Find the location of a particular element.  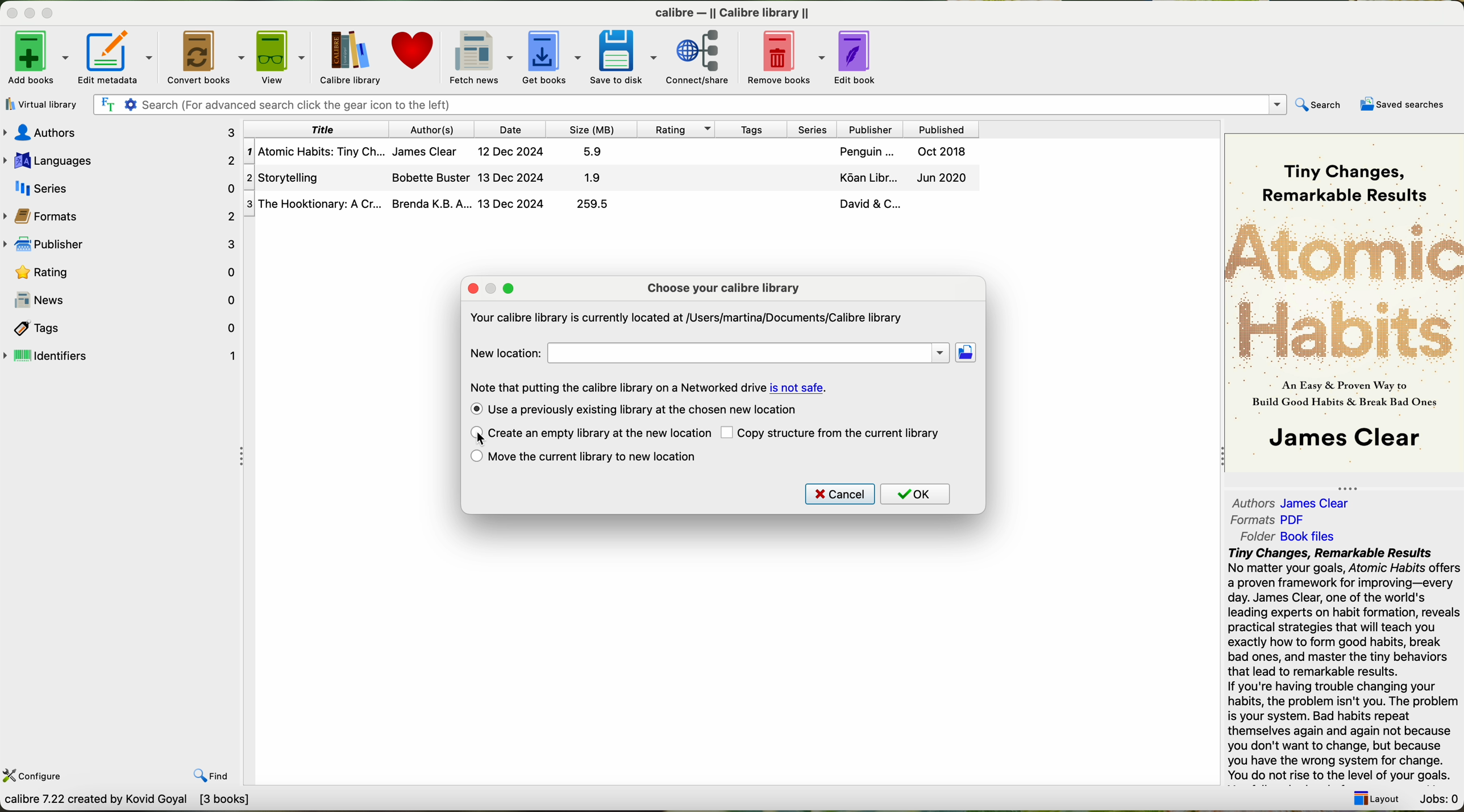

use a previously existing library is located at coordinates (634, 409).